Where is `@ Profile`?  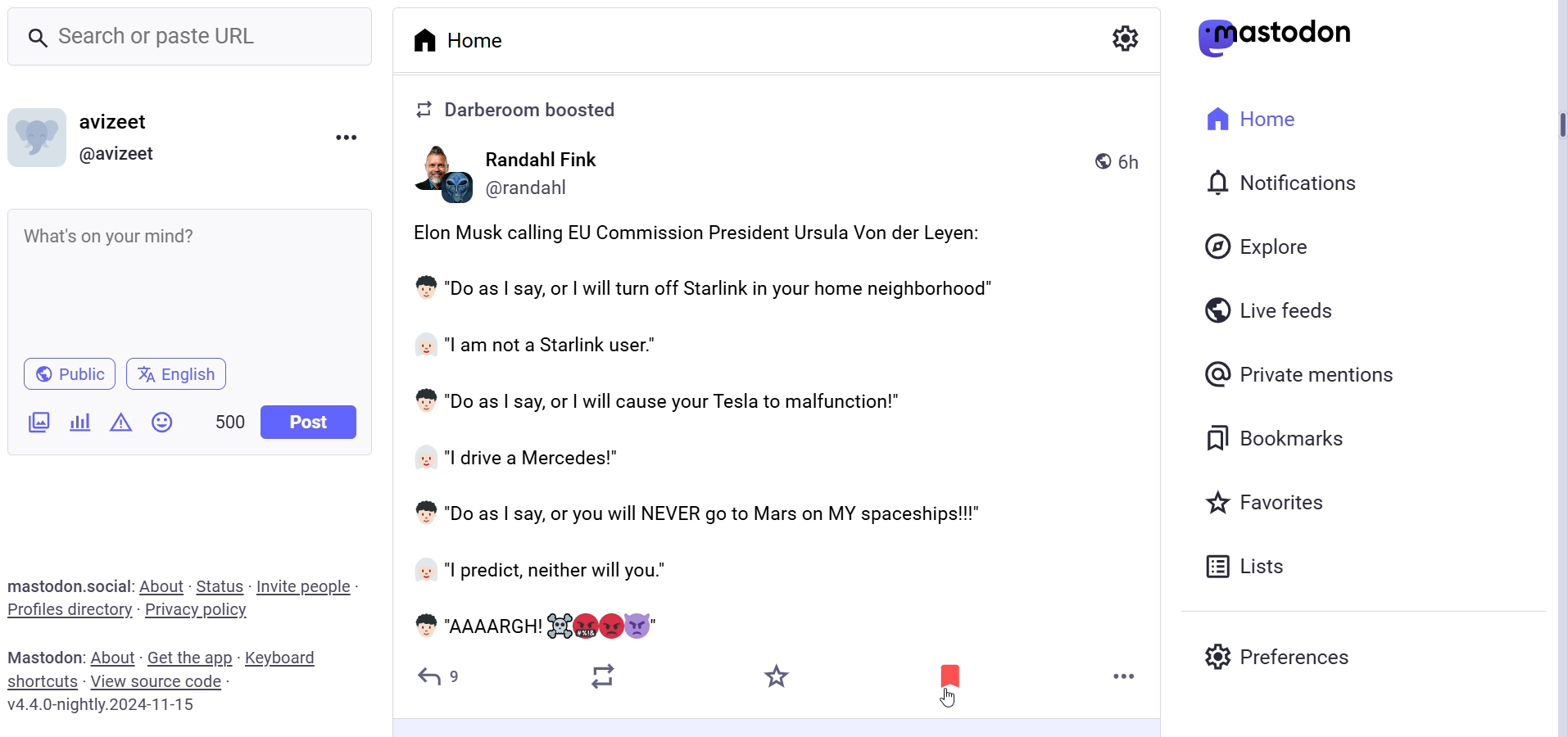 @ Profile is located at coordinates (116, 156).